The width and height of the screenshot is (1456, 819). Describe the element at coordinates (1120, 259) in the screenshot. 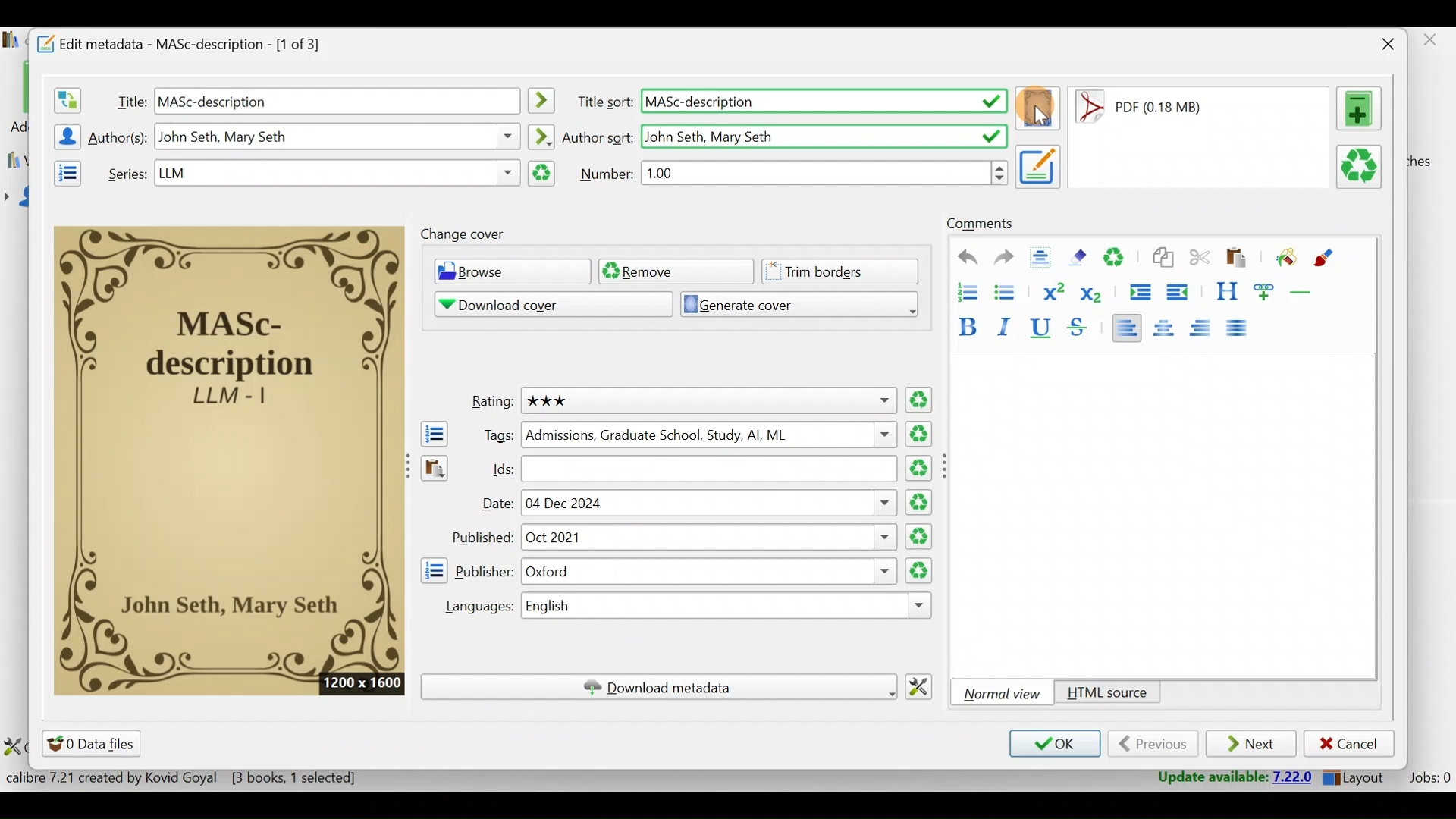

I see `Clear` at that location.